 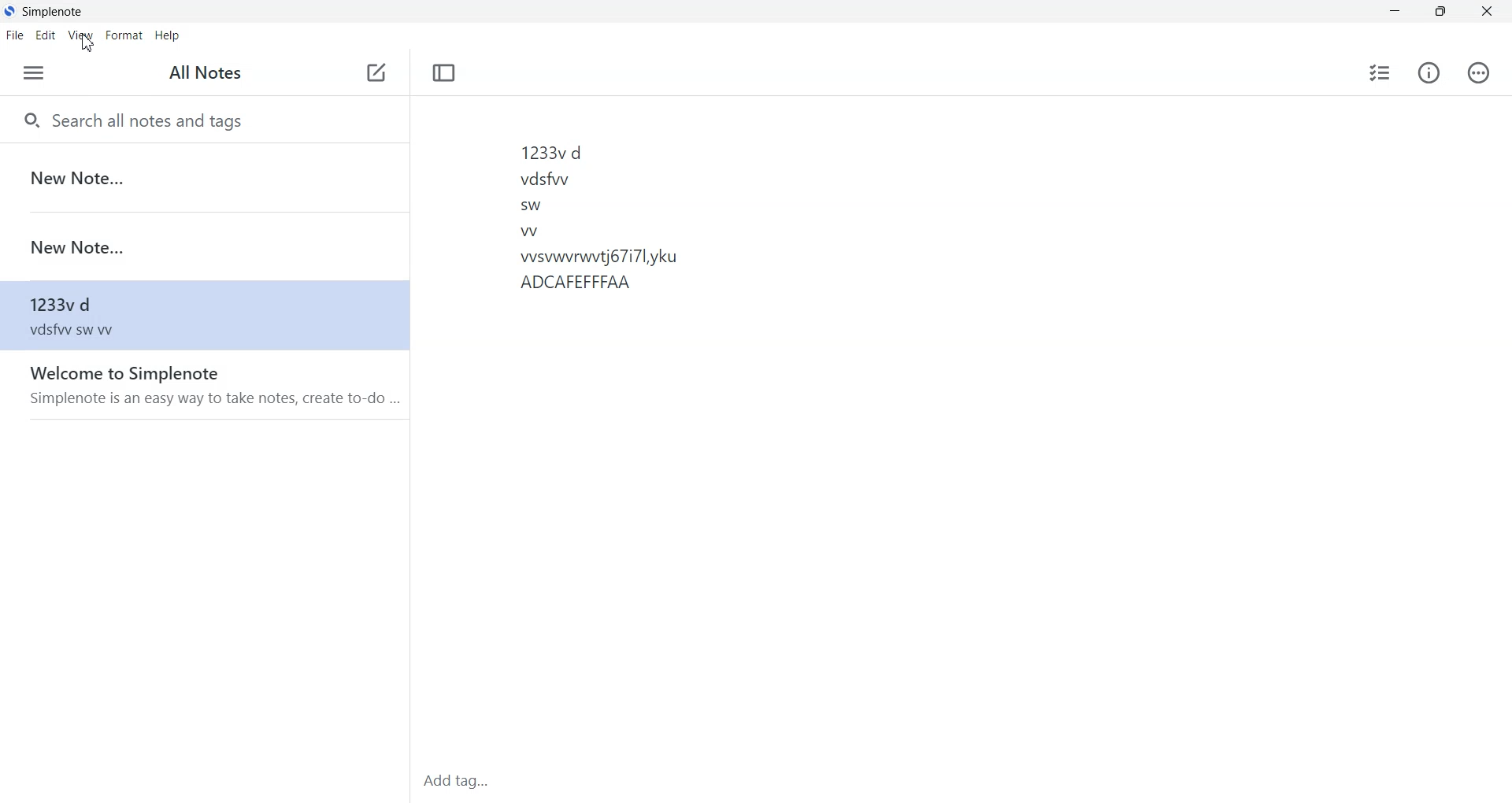 What do you see at coordinates (1429, 72) in the screenshot?
I see `Info` at bounding box center [1429, 72].